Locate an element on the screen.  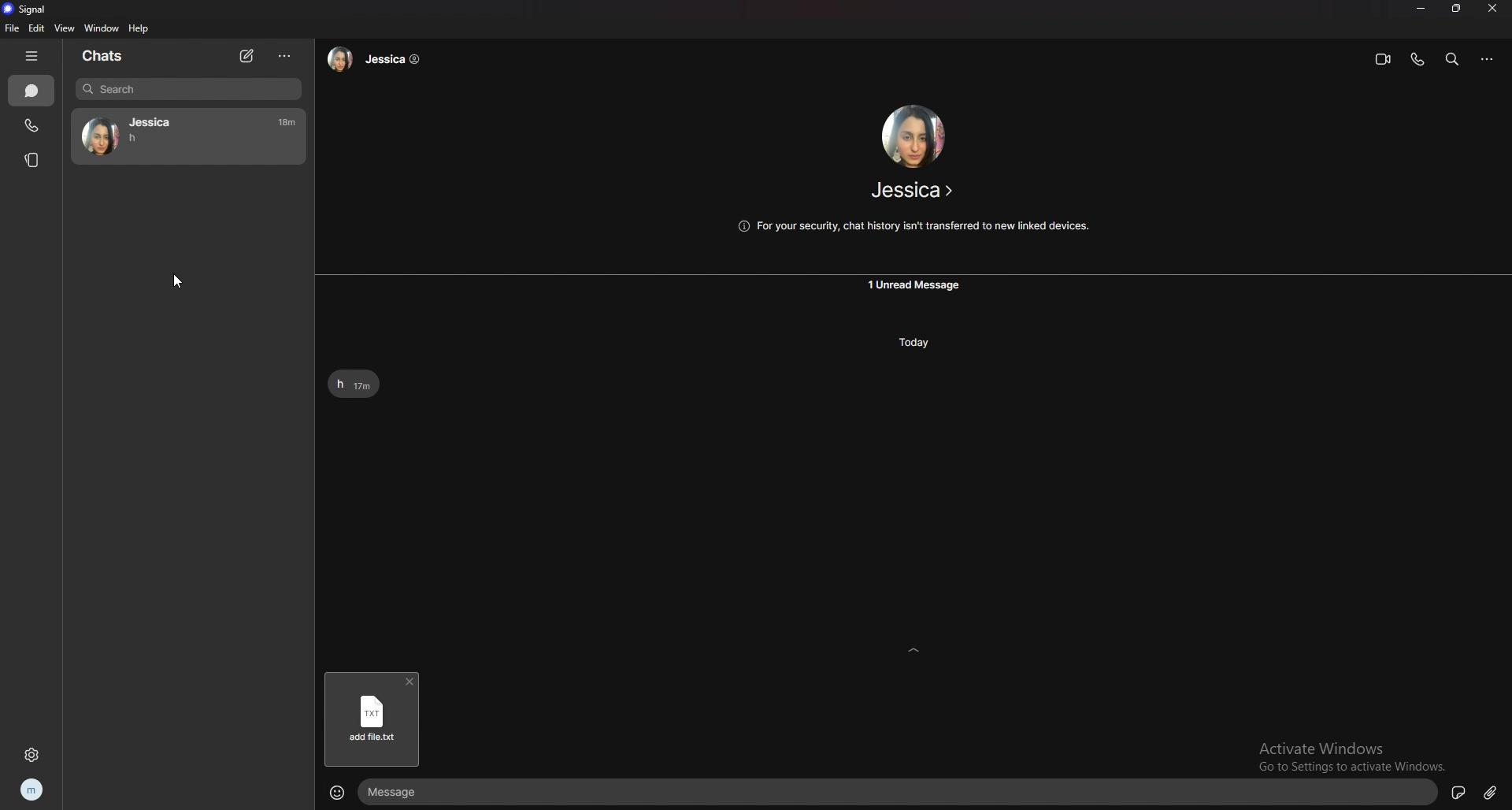
17m is located at coordinates (287, 123).